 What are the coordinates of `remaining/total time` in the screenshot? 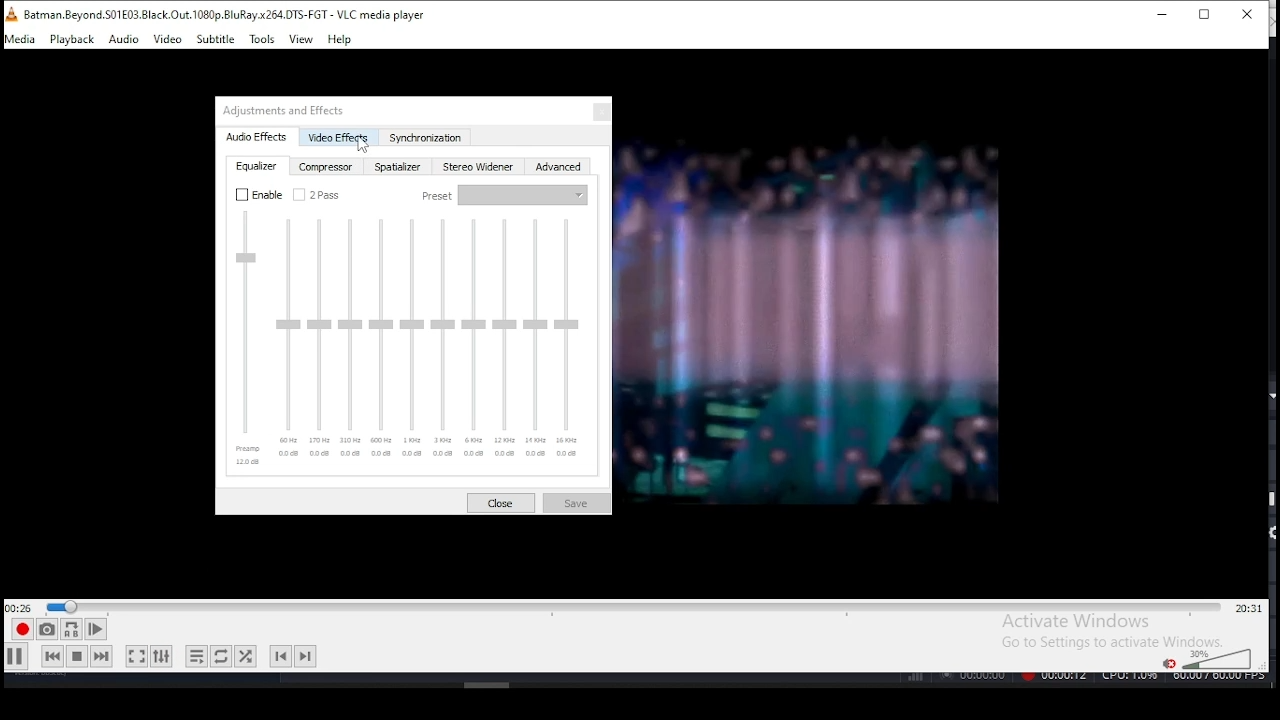 It's located at (1248, 608).